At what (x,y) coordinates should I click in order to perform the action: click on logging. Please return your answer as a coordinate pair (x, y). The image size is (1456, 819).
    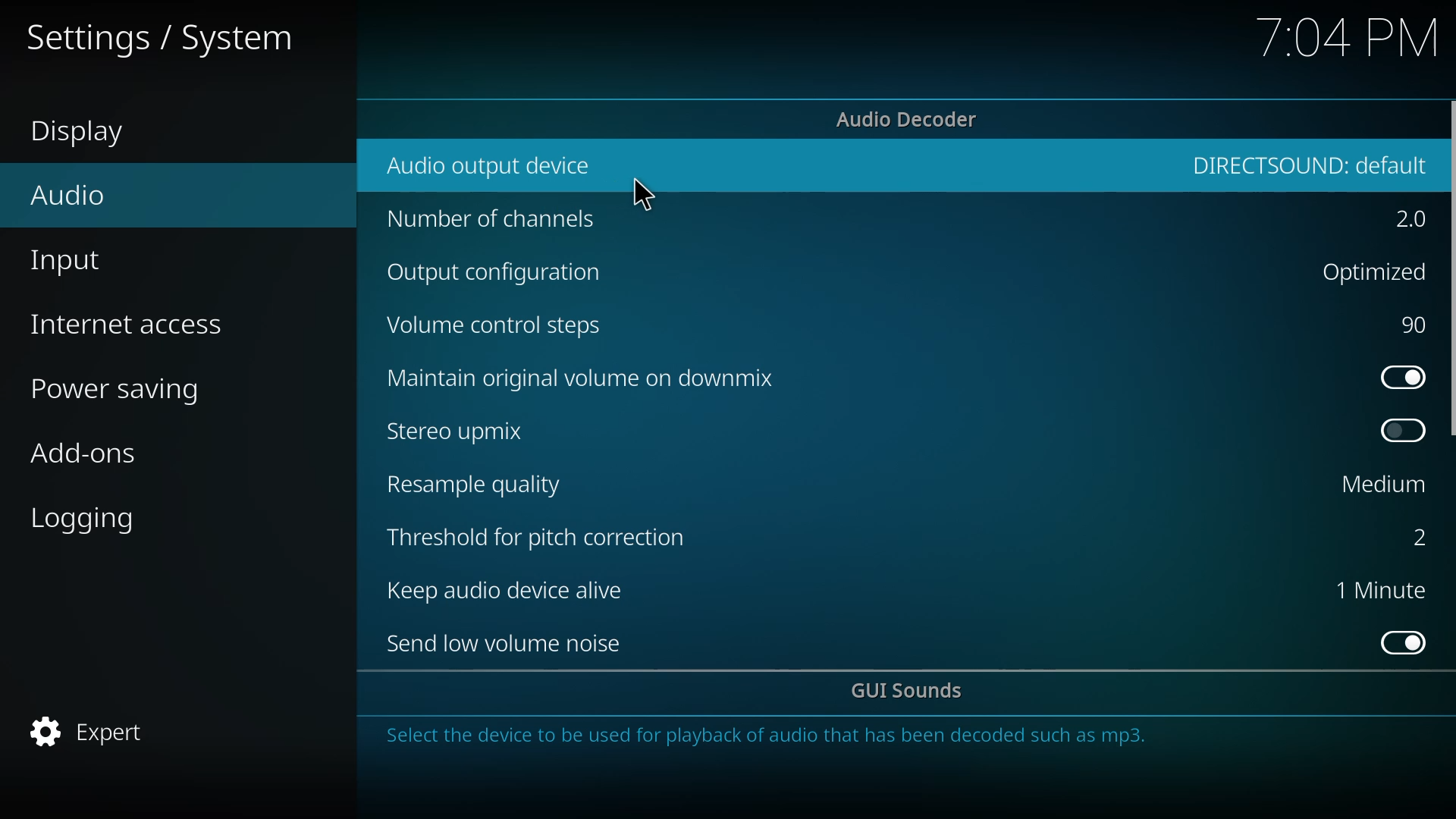
    Looking at the image, I should click on (89, 520).